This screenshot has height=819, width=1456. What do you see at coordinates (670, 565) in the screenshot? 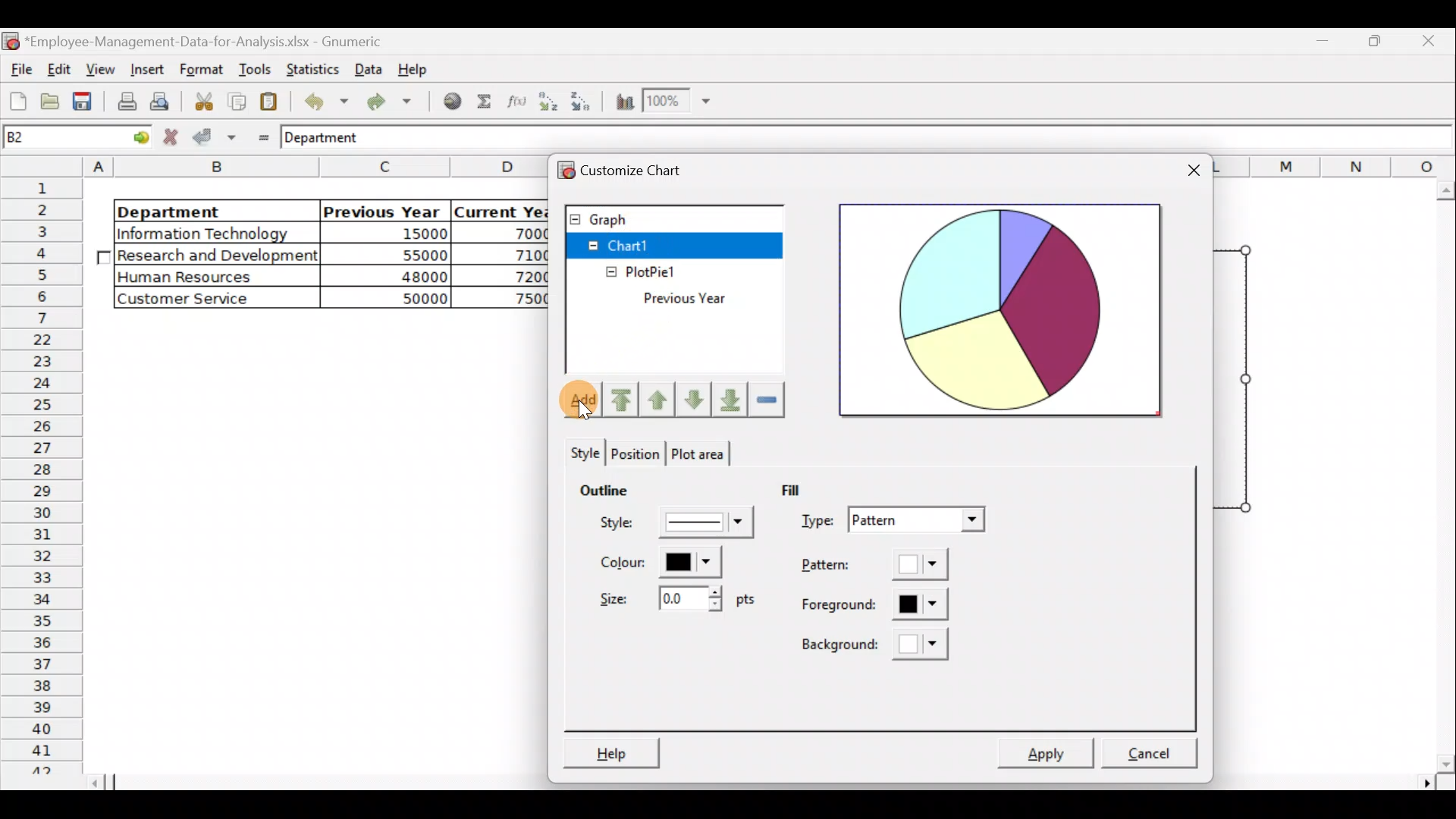
I see `Color` at bounding box center [670, 565].